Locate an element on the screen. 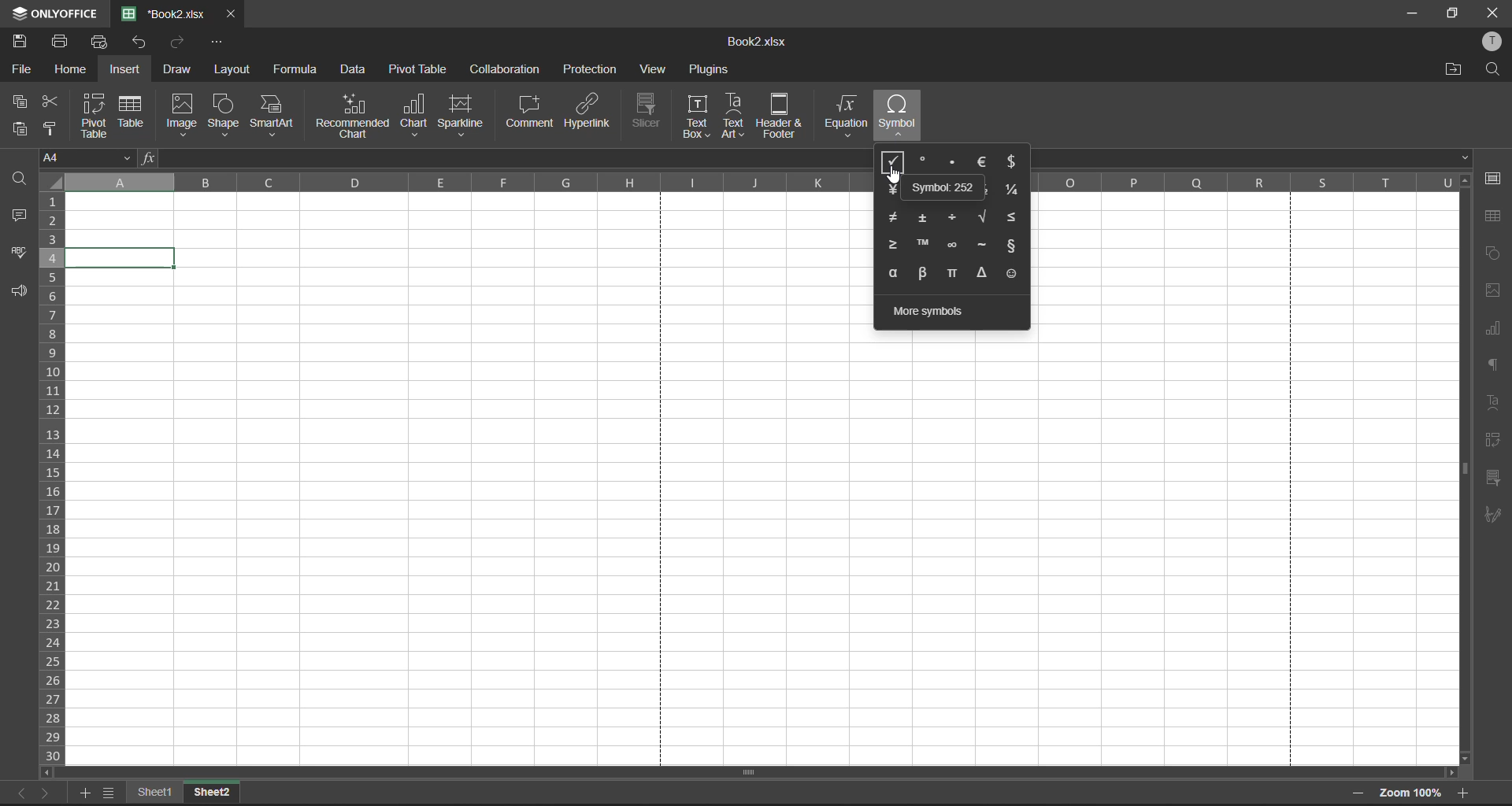 Image resolution: width=1512 pixels, height=806 pixels. images is located at coordinates (1494, 290).